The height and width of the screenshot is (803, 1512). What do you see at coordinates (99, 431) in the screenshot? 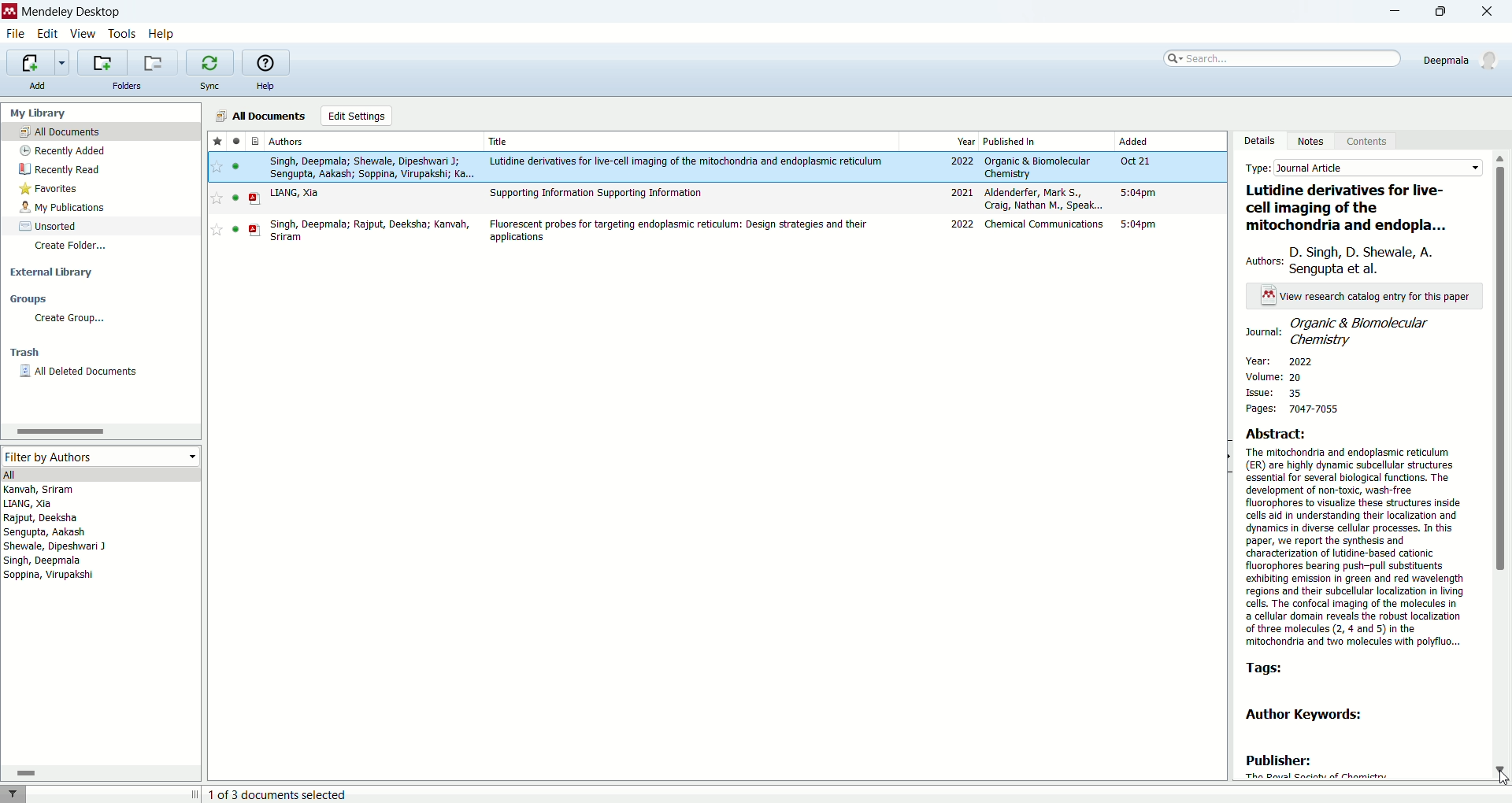
I see `horizontal scroll bar` at bounding box center [99, 431].